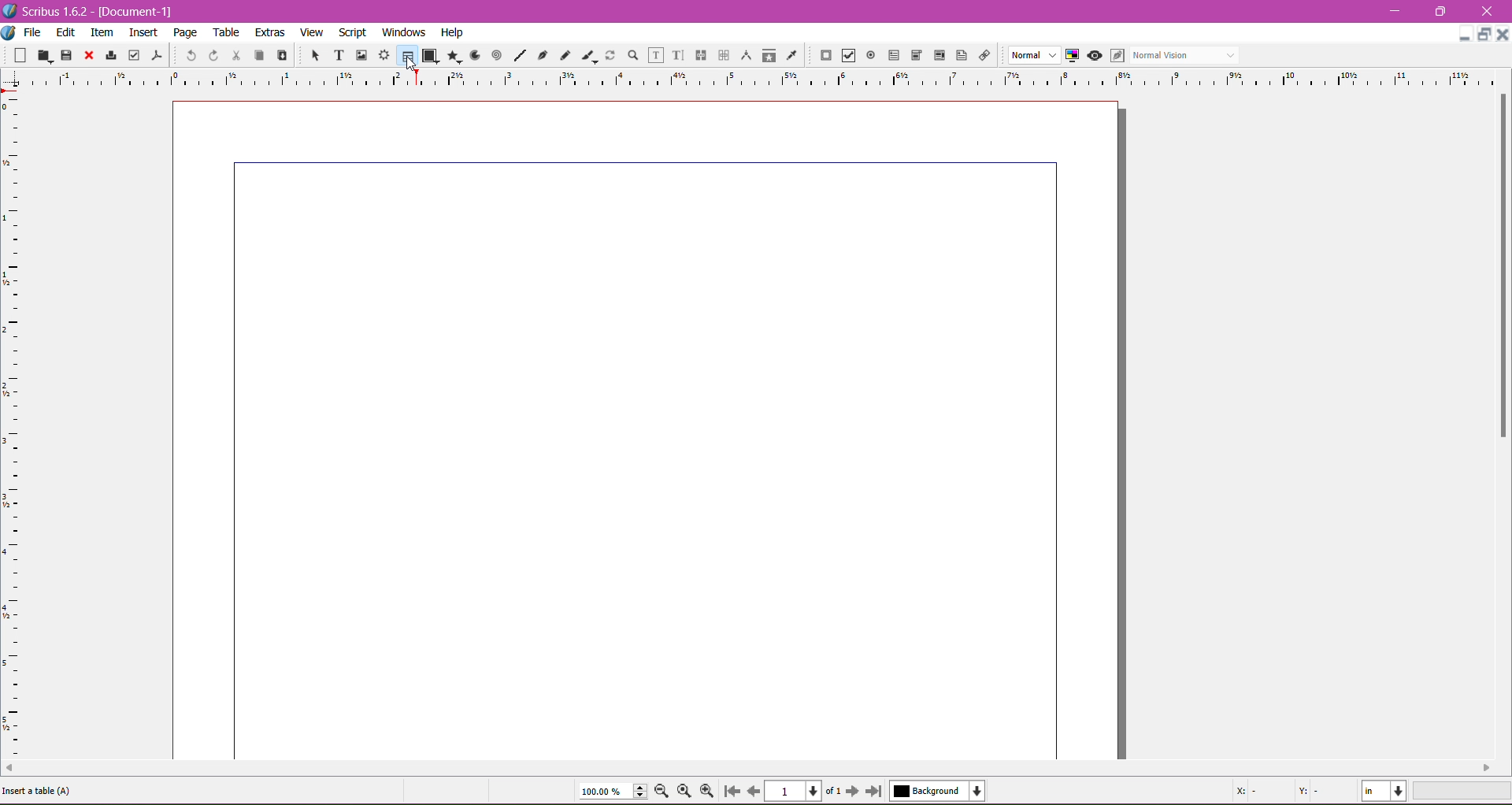  What do you see at coordinates (109, 57) in the screenshot?
I see `Print` at bounding box center [109, 57].